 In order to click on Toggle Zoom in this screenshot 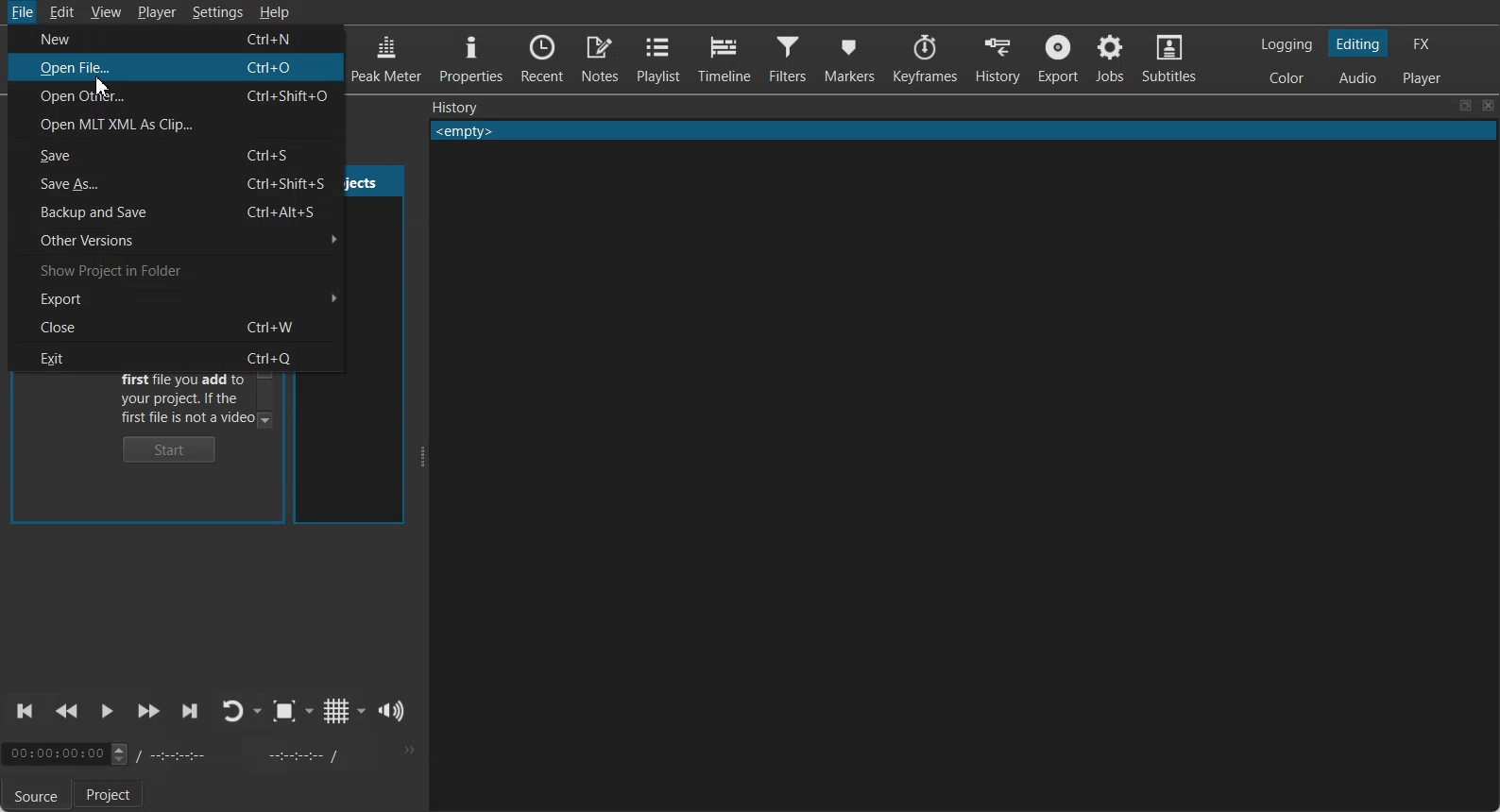, I will do `click(284, 711)`.